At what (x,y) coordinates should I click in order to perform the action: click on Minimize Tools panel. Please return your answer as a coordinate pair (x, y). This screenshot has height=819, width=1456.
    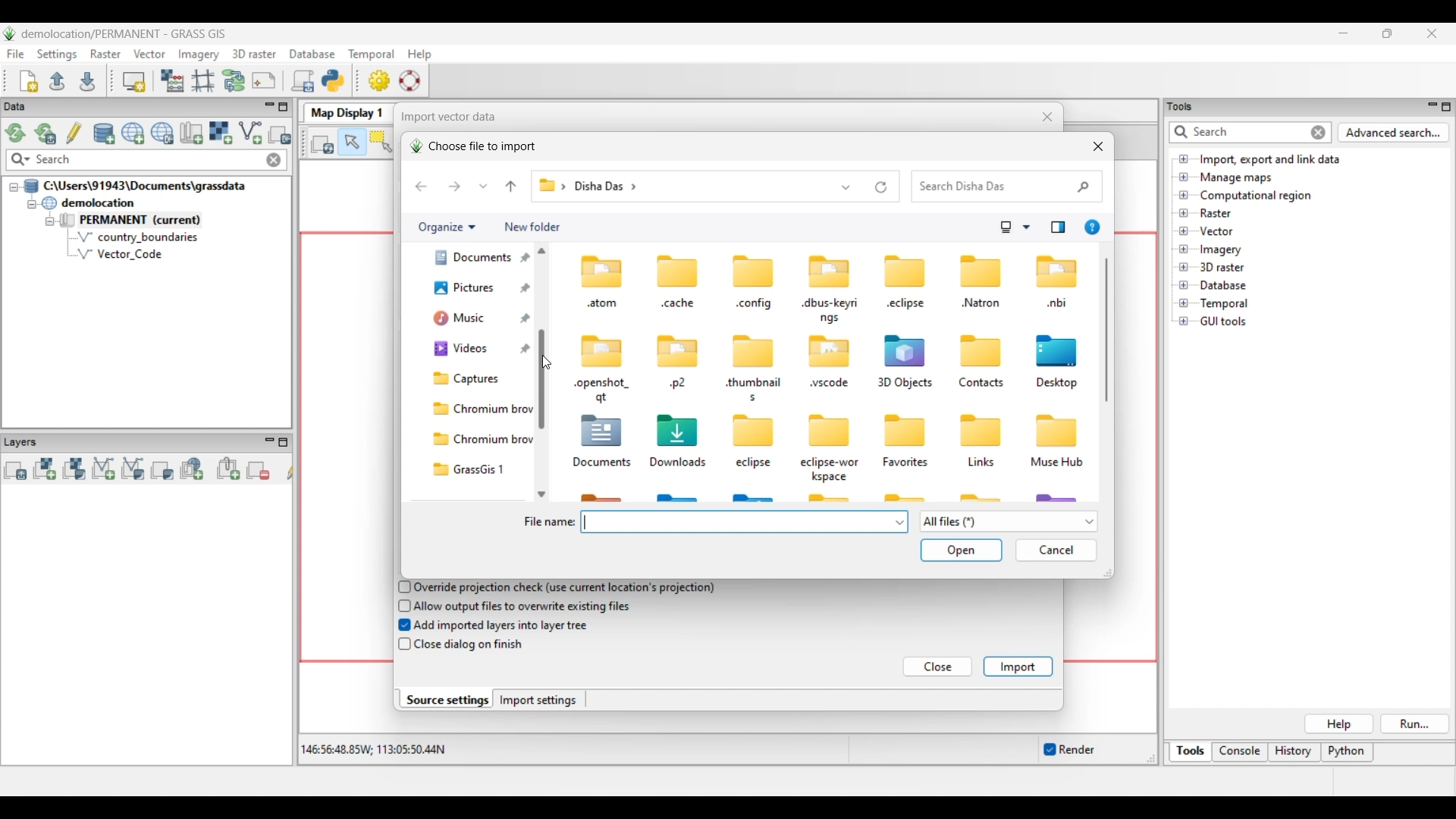
    Looking at the image, I should click on (1430, 106).